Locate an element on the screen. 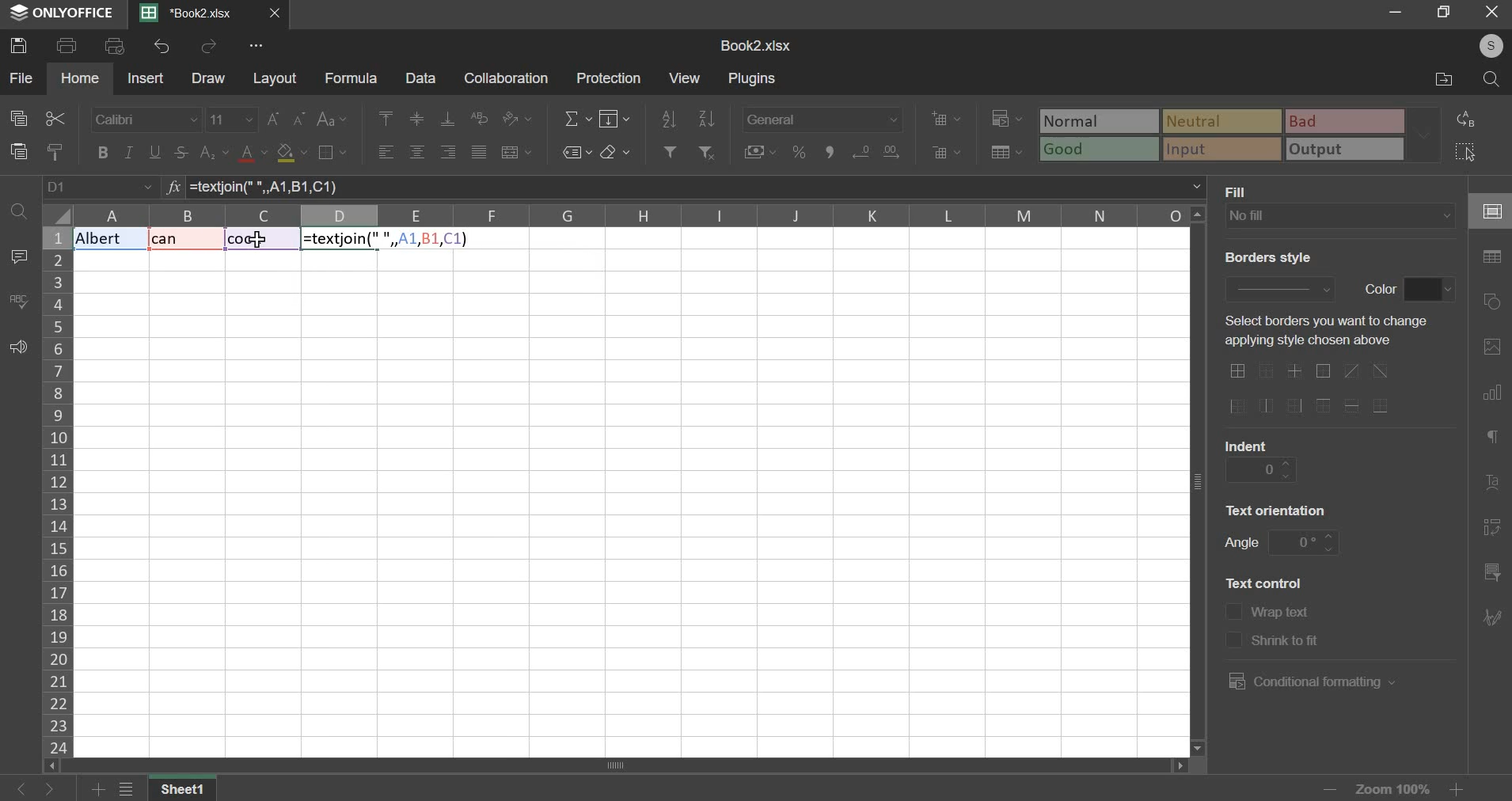 This screenshot has width=1512, height=801. align right is located at coordinates (449, 152).